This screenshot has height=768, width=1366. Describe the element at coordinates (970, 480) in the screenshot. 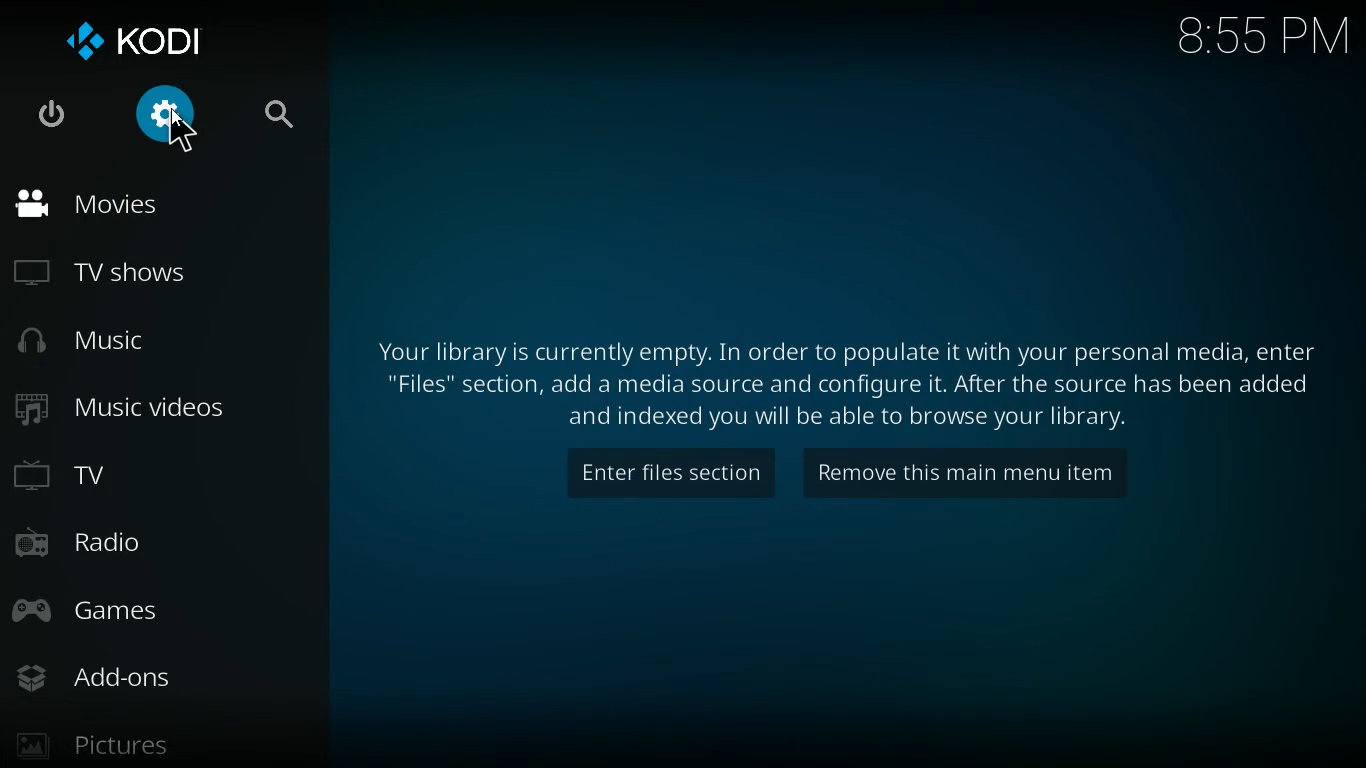

I see `remove this main menu item` at that location.